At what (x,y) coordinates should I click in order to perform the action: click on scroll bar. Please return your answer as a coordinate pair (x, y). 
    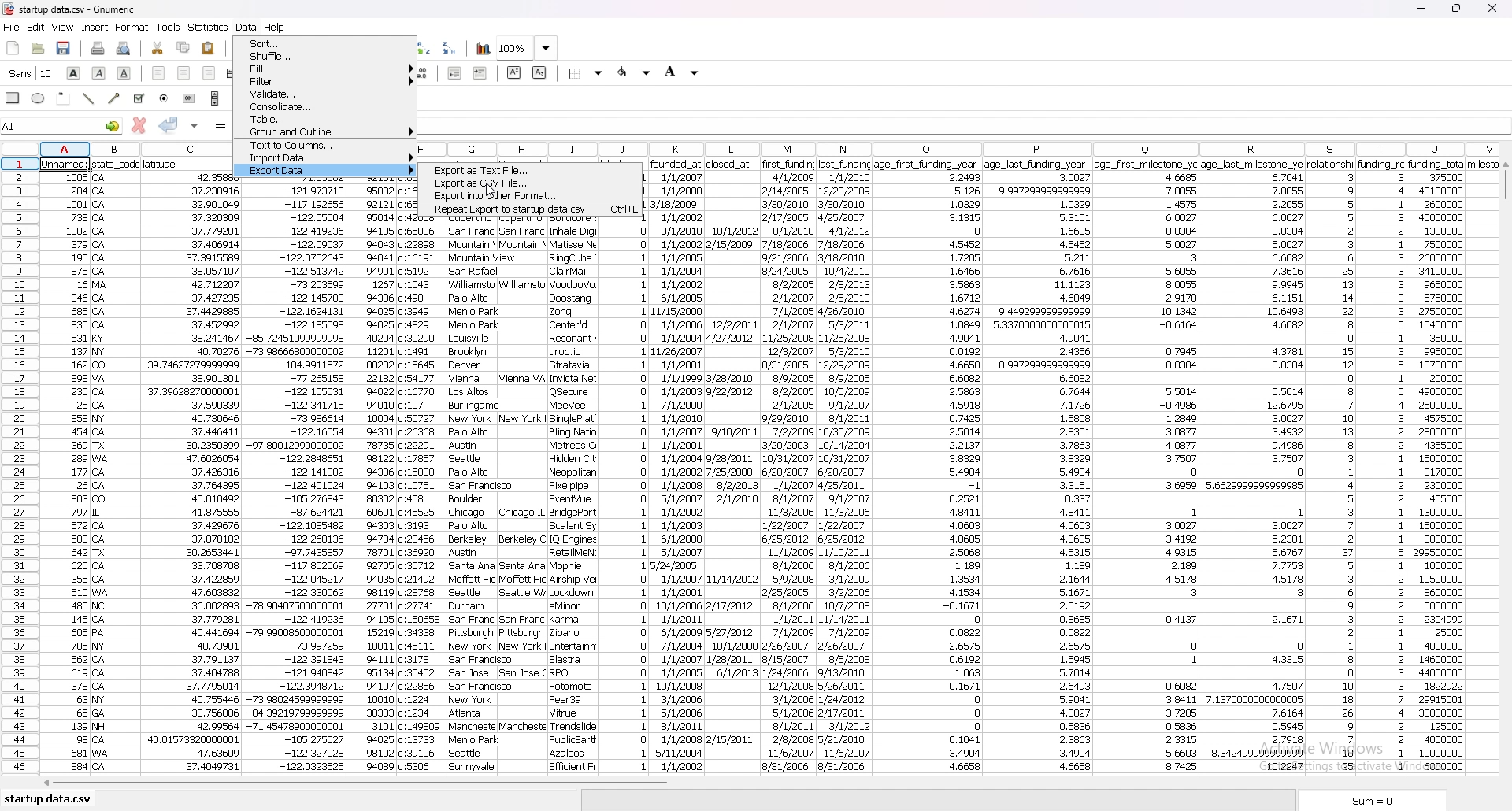
    Looking at the image, I should click on (215, 98).